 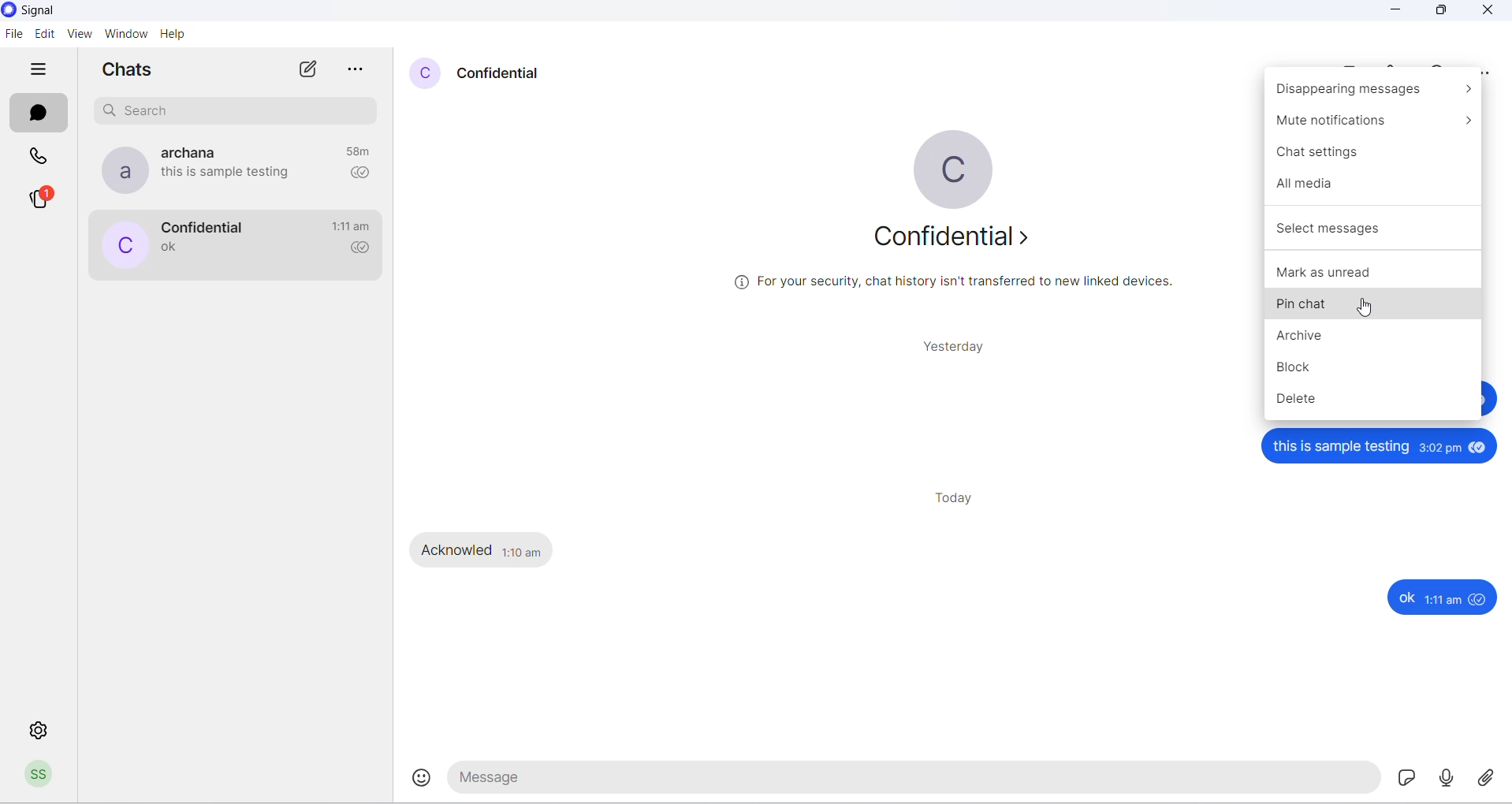 What do you see at coordinates (1373, 228) in the screenshot?
I see `select messages` at bounding box center [1373, 228].